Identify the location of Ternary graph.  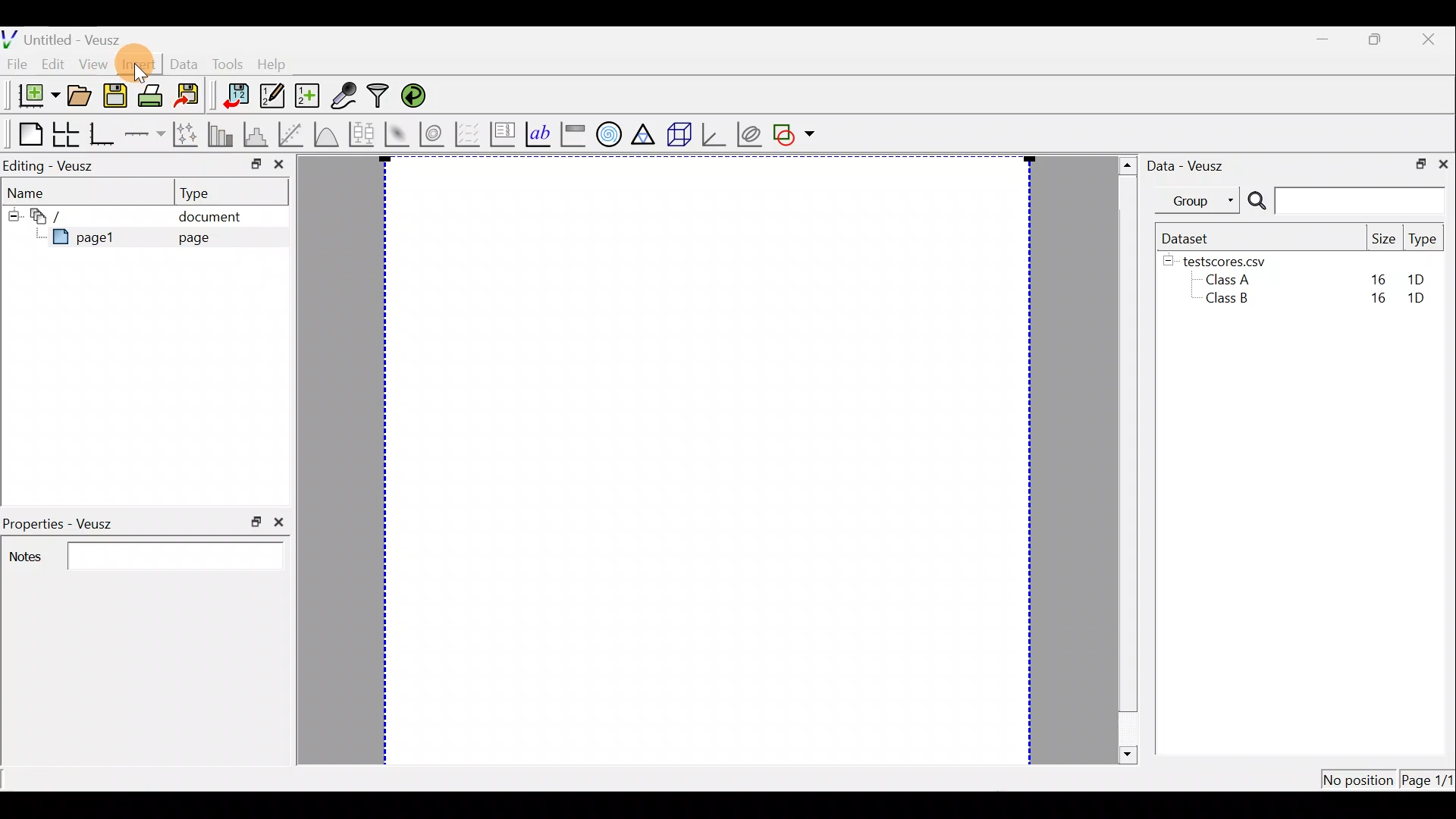
(645, 133).